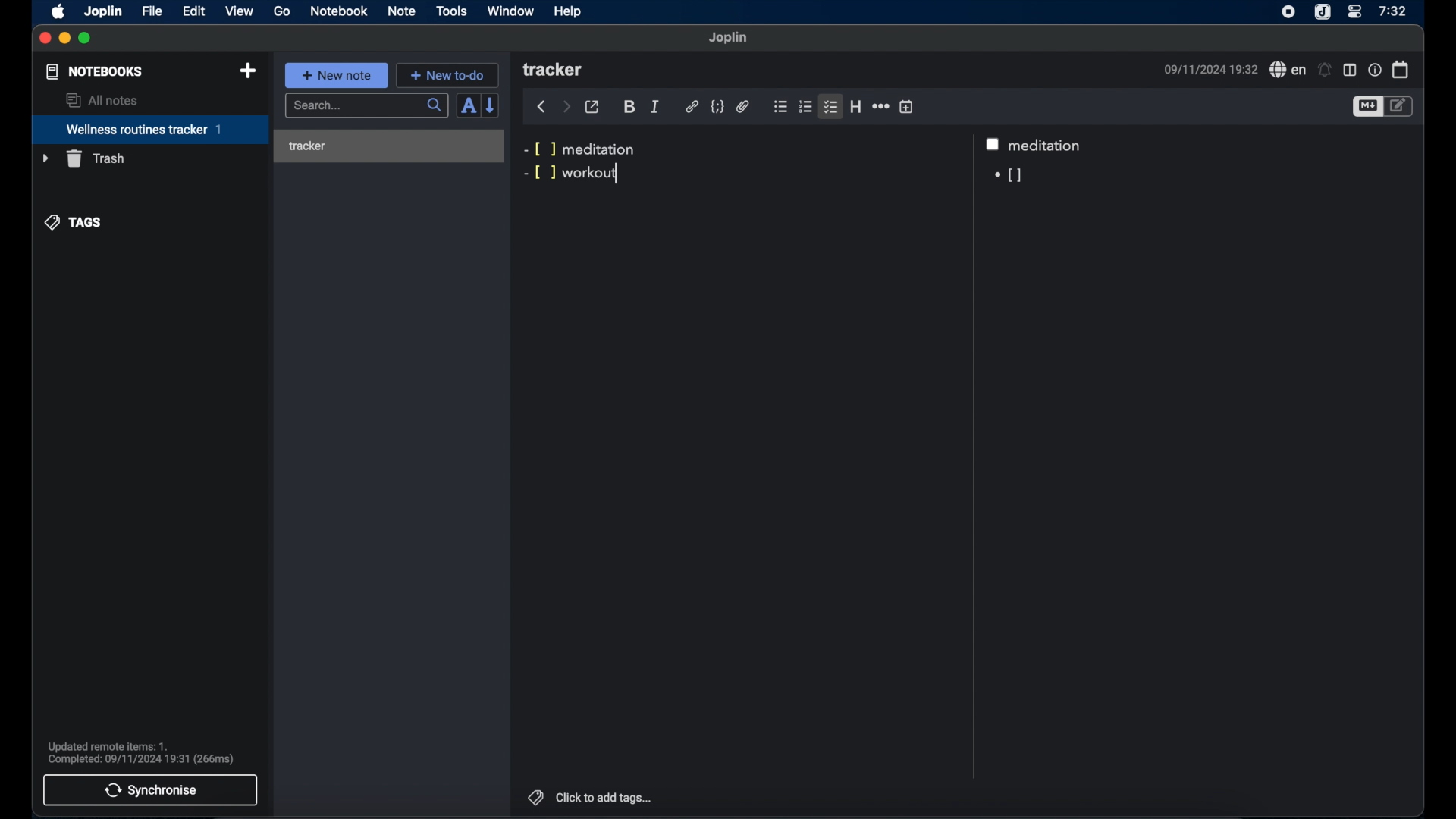 The width and height of the screenshot is (1456, 819). What do you see at coordinates (86, 39) in the screenshot?
I see `maximize` at bounding box center [86, 39].